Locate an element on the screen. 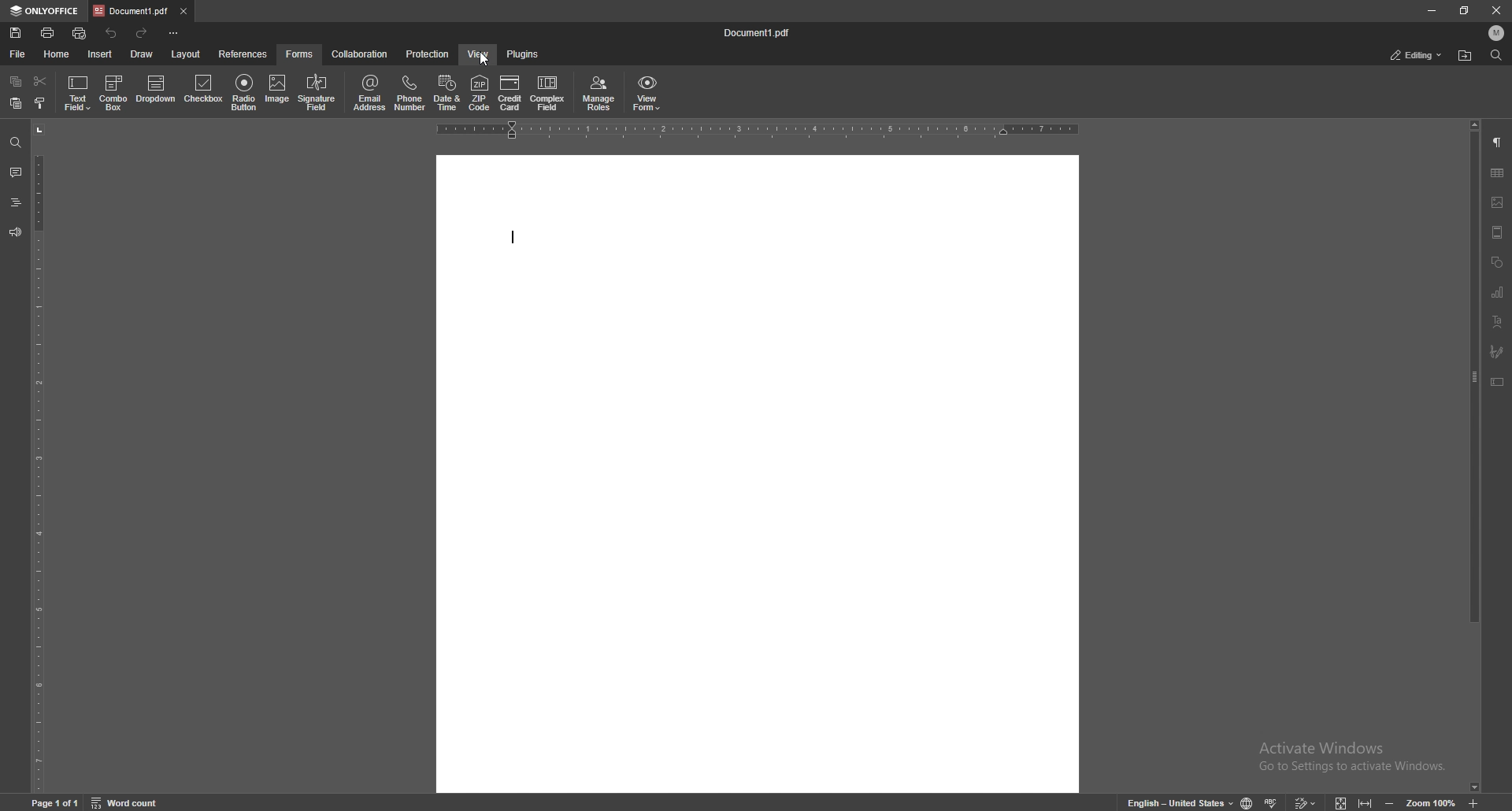 The image size is (1512, 811). file name is located at coordinates (757, 31).